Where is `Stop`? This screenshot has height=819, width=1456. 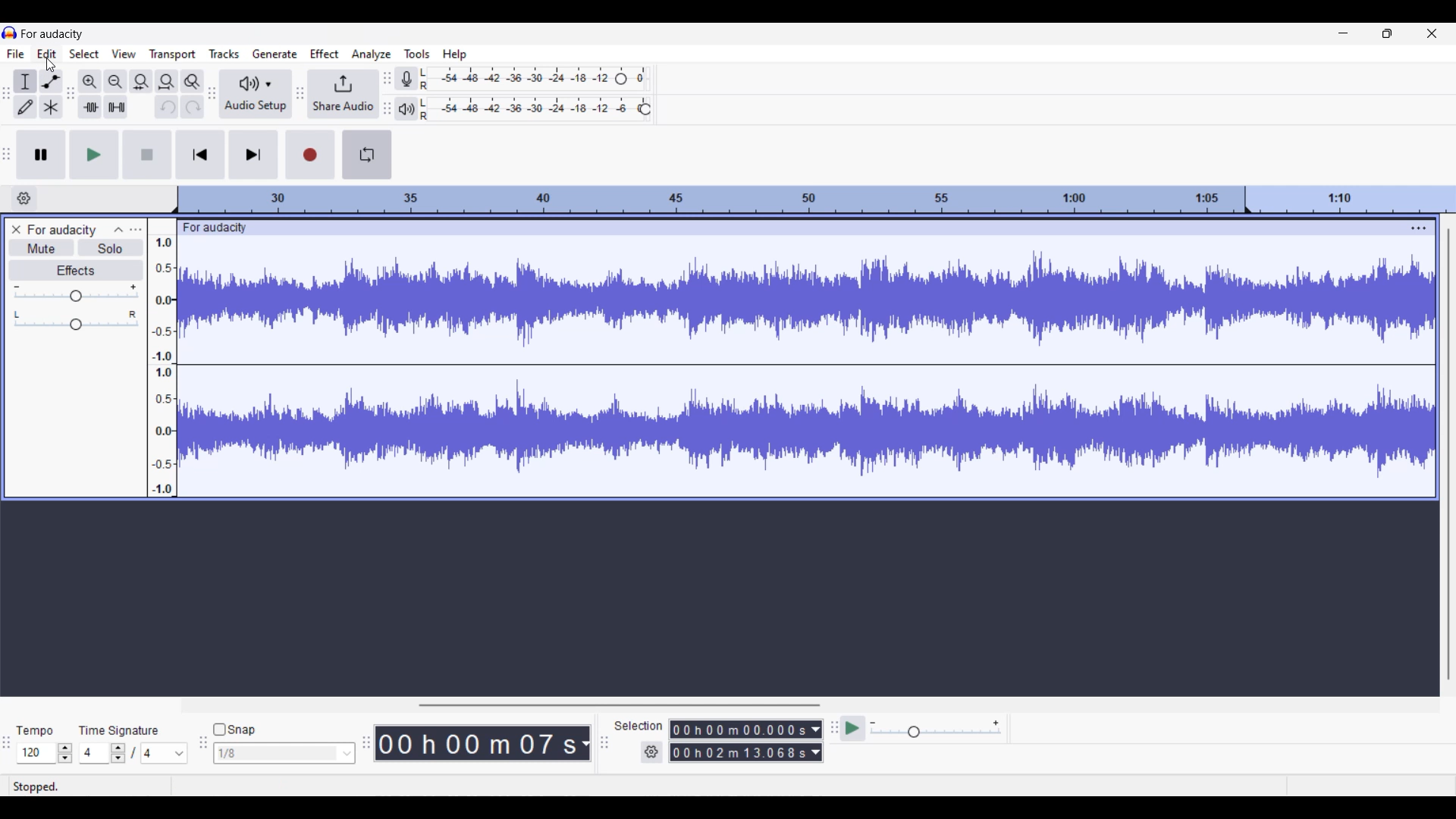 Stop is located at coordinates (149, 155).